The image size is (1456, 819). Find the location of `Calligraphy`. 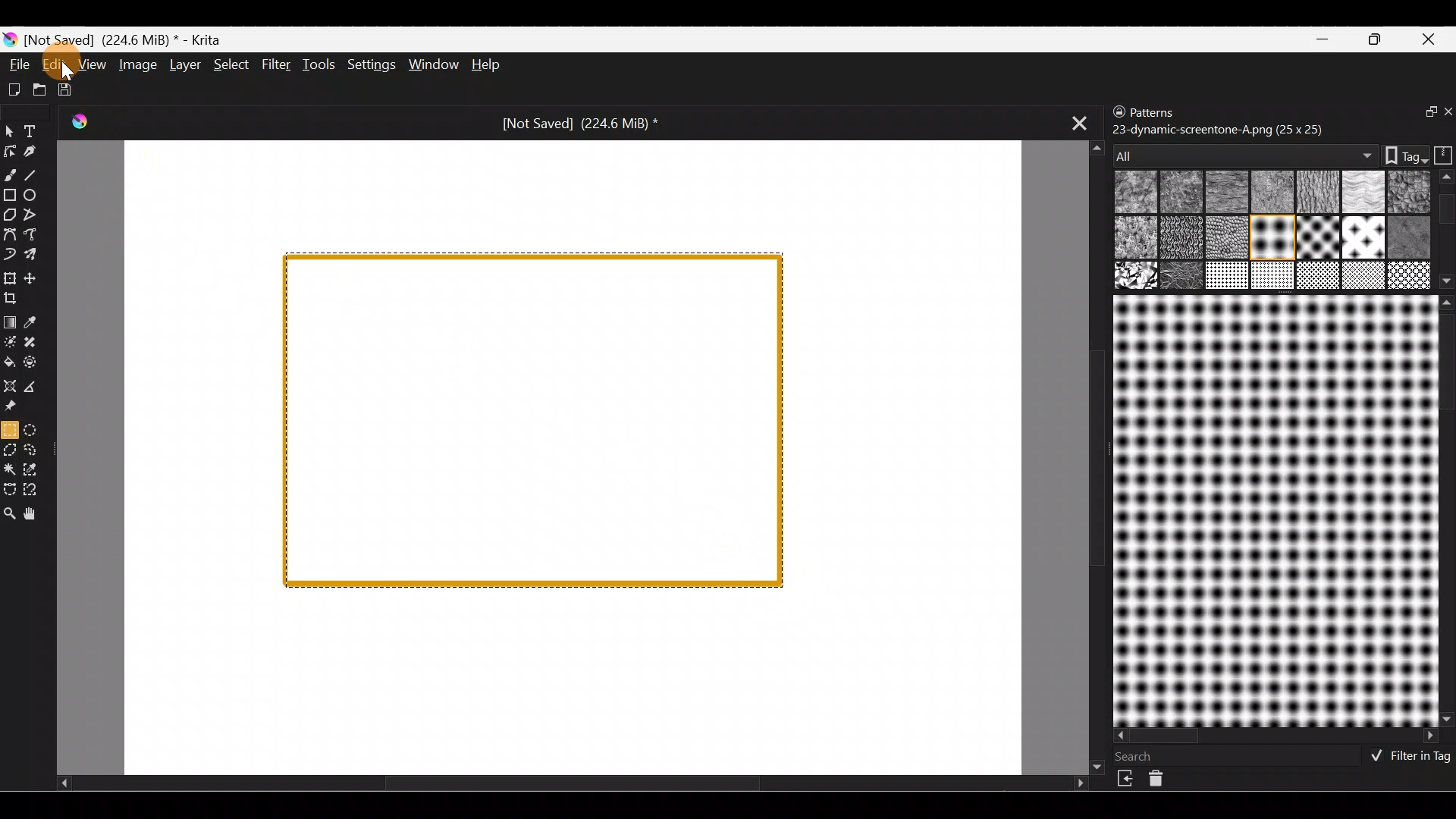

Calligraphy is located at coordinates (33, 151).